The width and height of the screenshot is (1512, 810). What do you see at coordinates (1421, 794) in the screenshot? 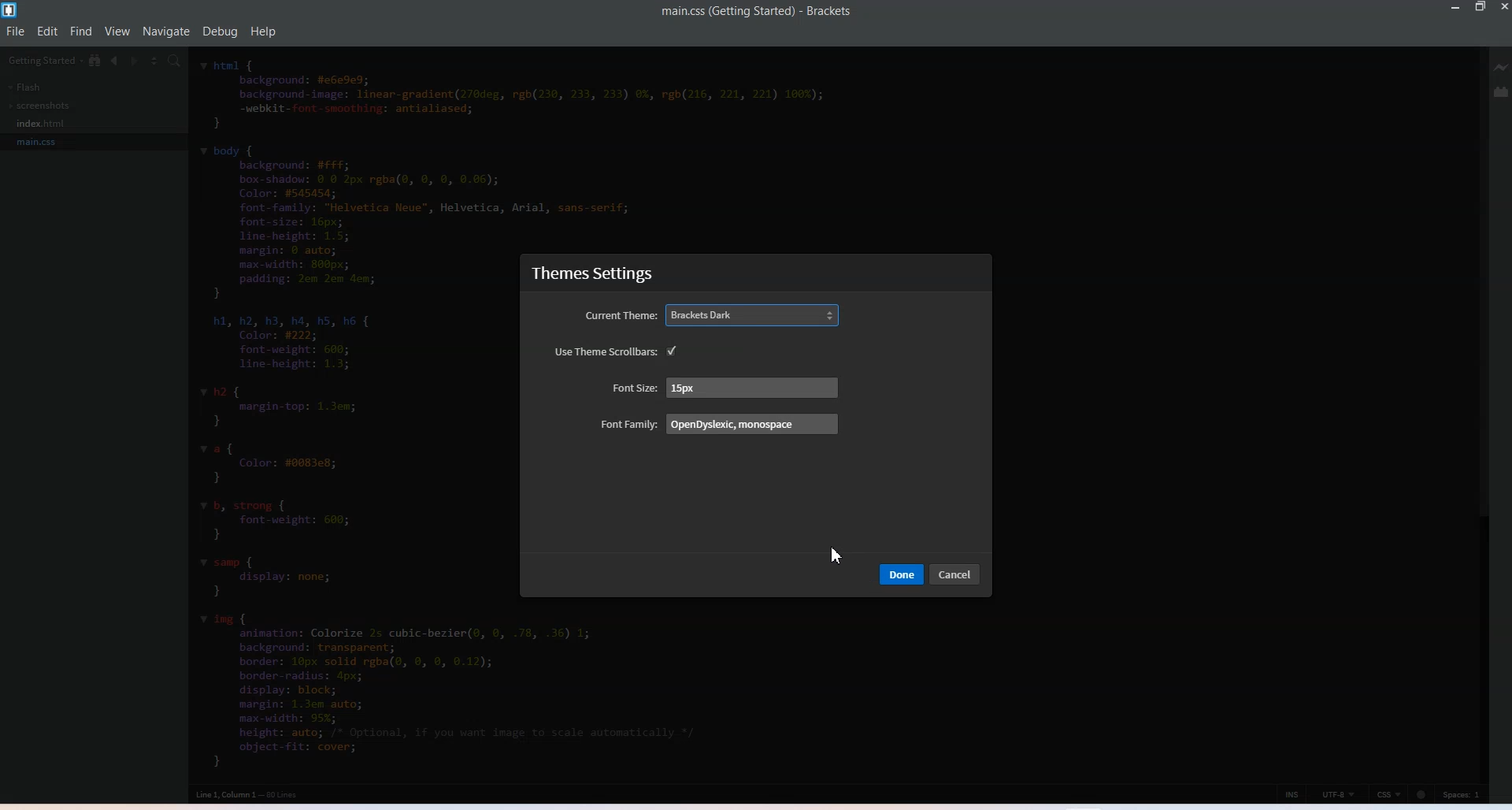
I see `circle` at bounding box center [1421, 794].